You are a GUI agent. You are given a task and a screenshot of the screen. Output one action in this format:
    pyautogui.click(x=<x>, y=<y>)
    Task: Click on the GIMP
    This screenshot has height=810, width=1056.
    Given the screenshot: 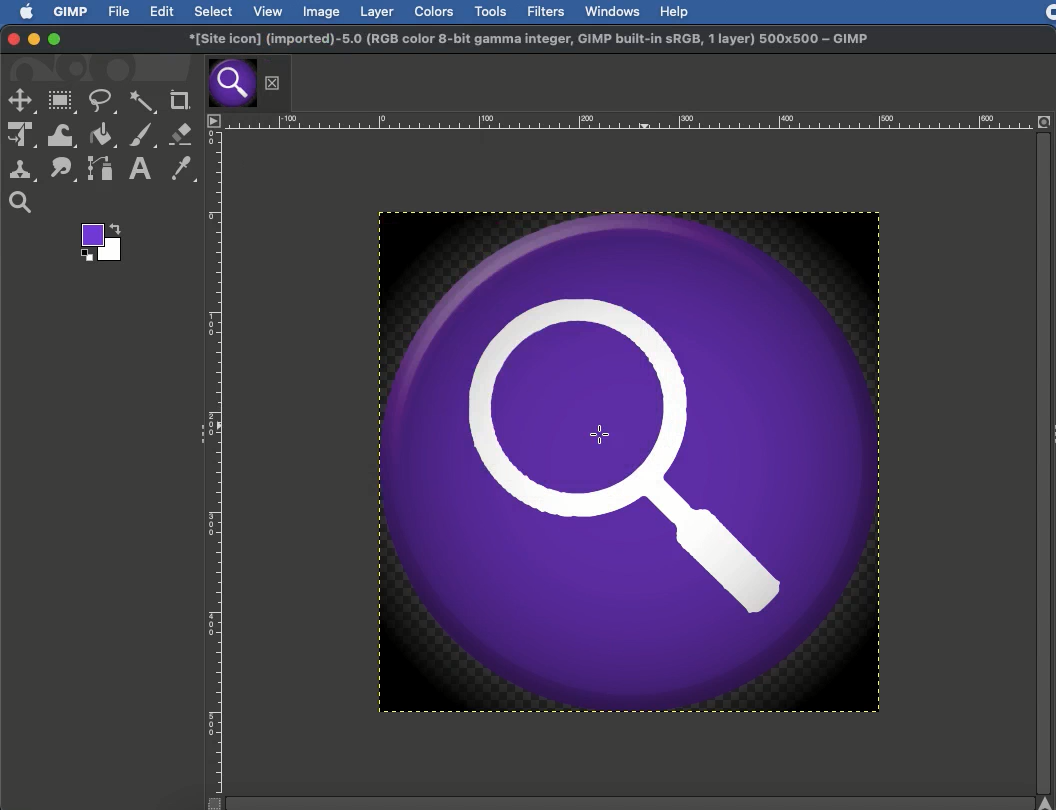 What is the action you would take?
    pyautogui.click(x=71, y=12)
    